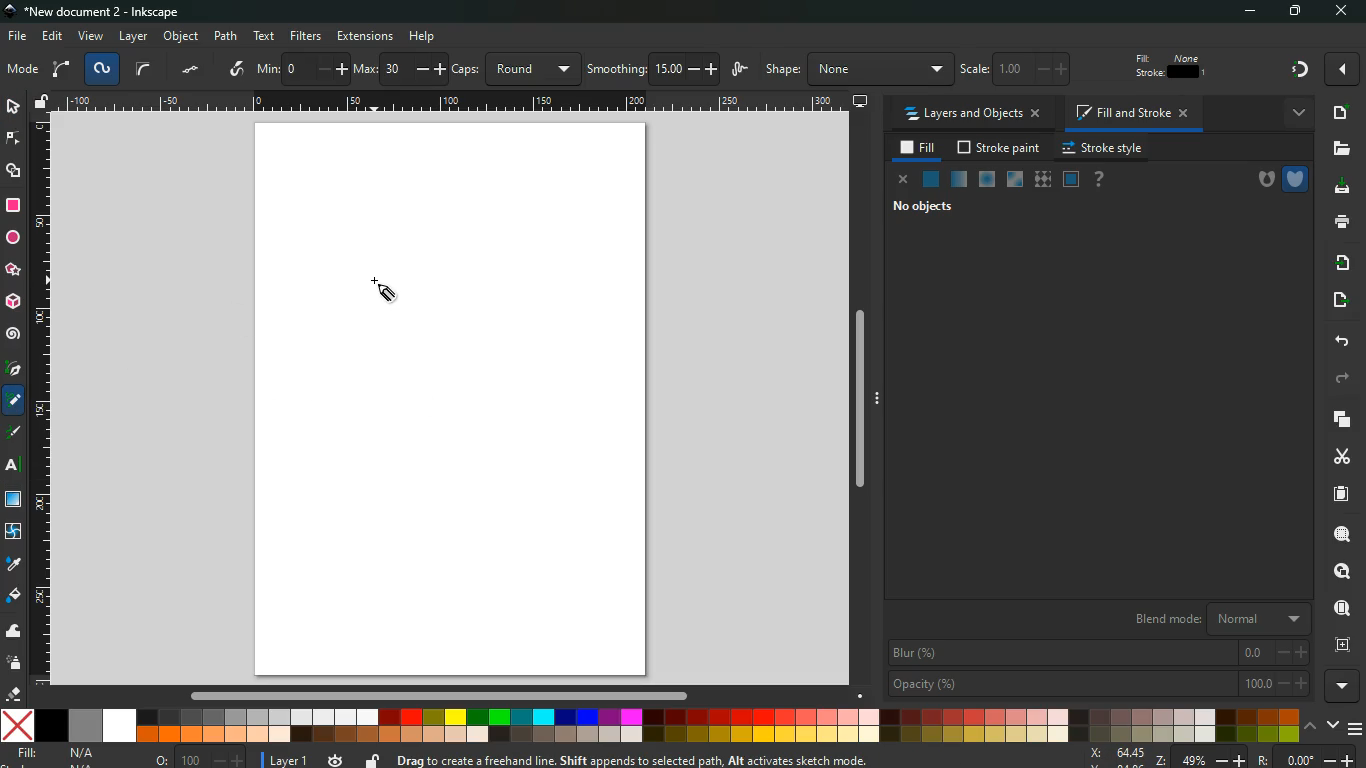  Describe the element at coordinates (1295, 177) in the screenshot. I see `shield` at that location.